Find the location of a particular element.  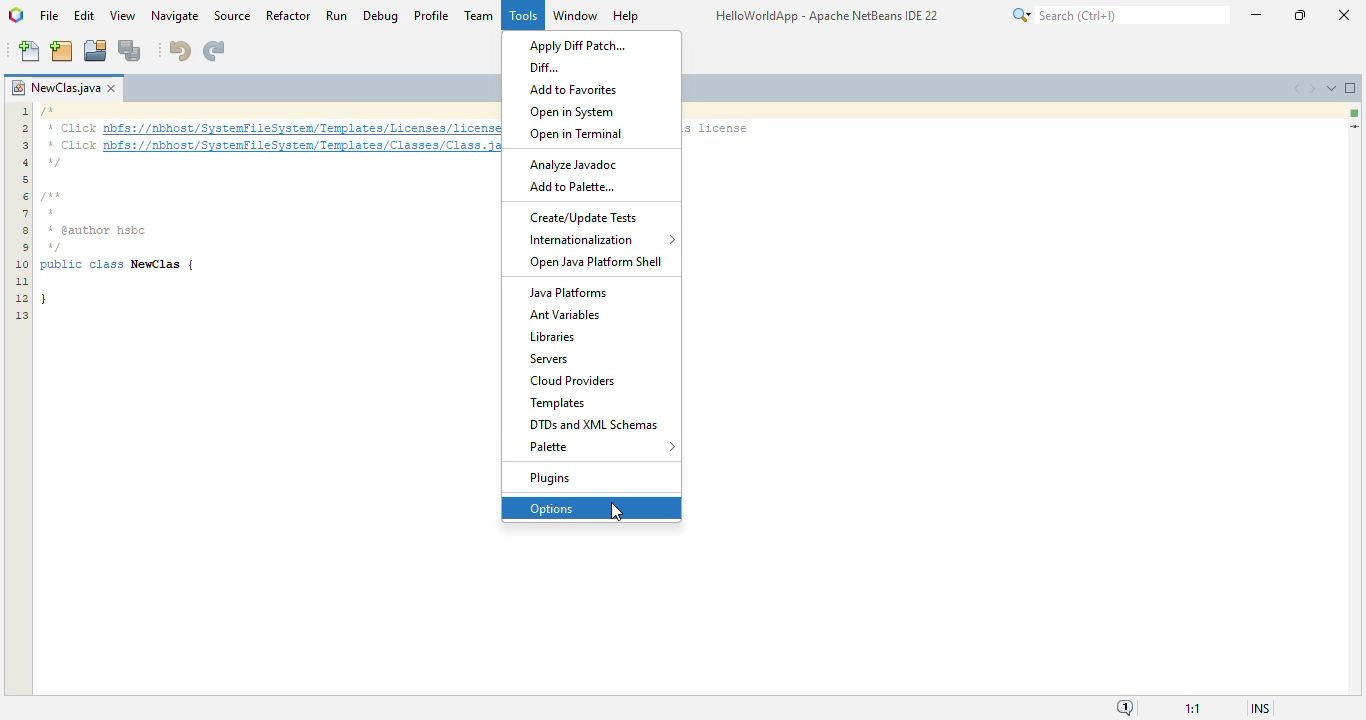

view is located at coordinates (123, 15).